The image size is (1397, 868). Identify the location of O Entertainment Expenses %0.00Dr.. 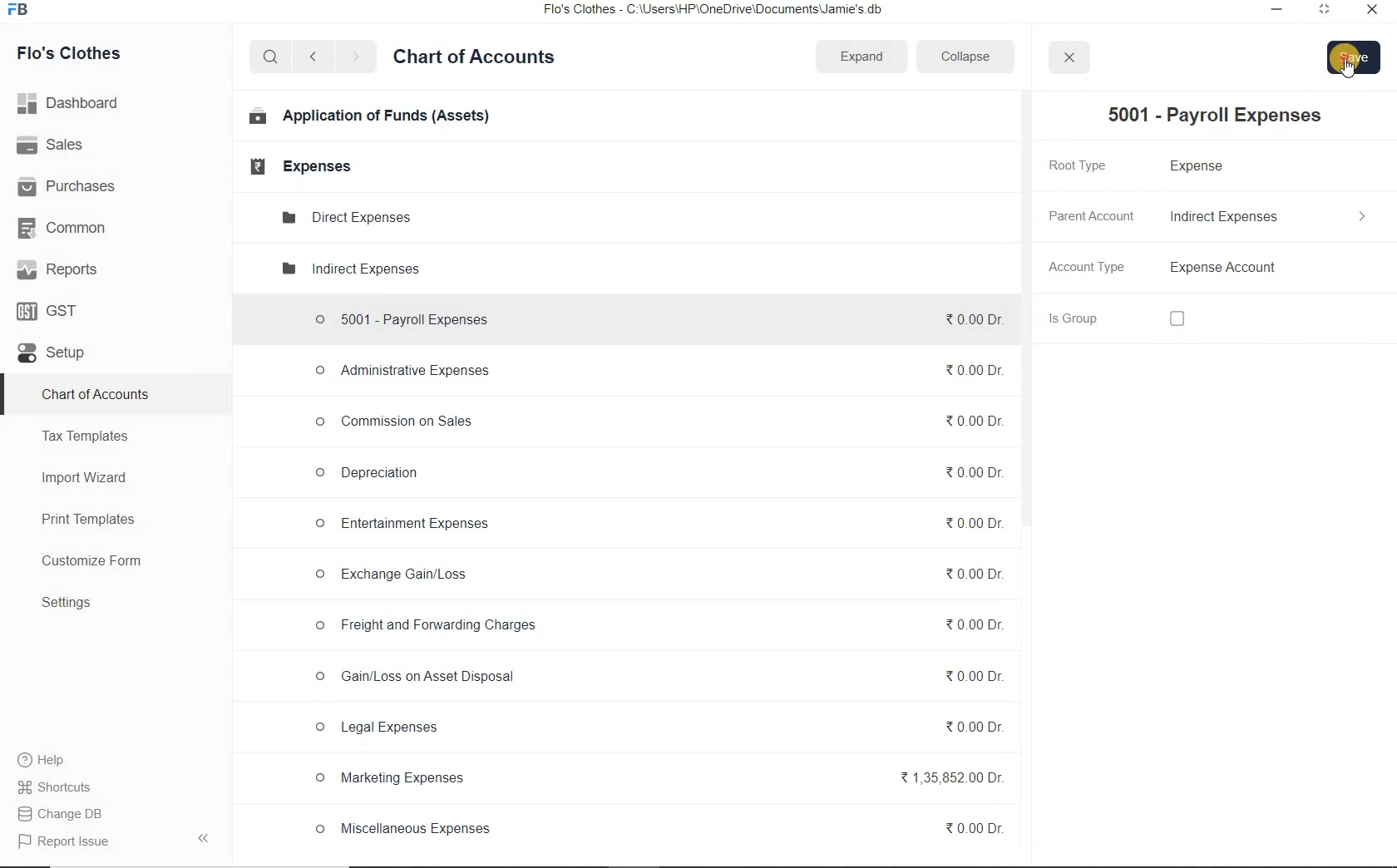
(654, 525).